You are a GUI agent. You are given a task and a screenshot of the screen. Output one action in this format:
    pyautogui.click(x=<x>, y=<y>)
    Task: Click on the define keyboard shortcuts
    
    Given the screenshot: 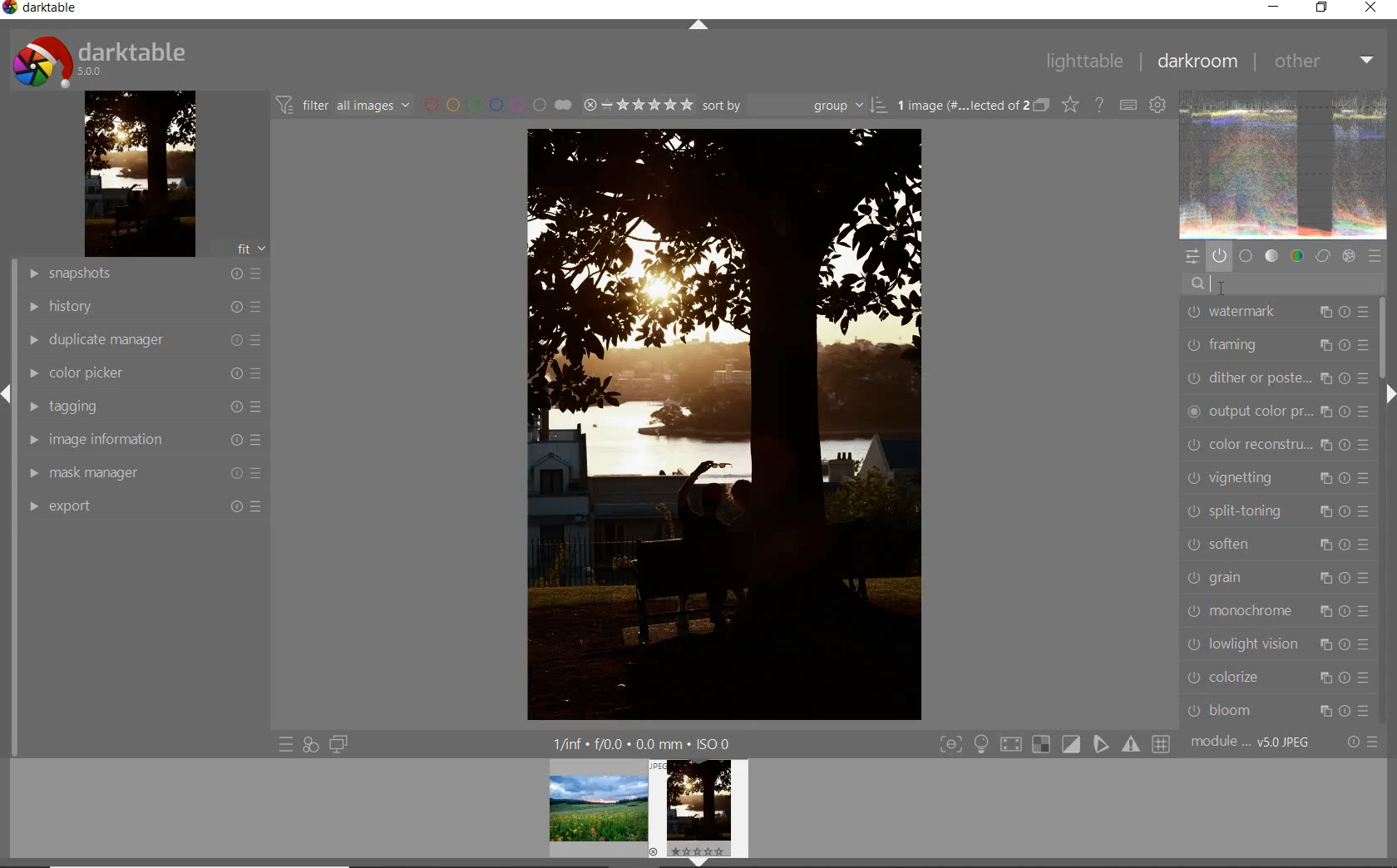 What is the action you would take?
    pyautogui.click(x=1159, y=104)
    